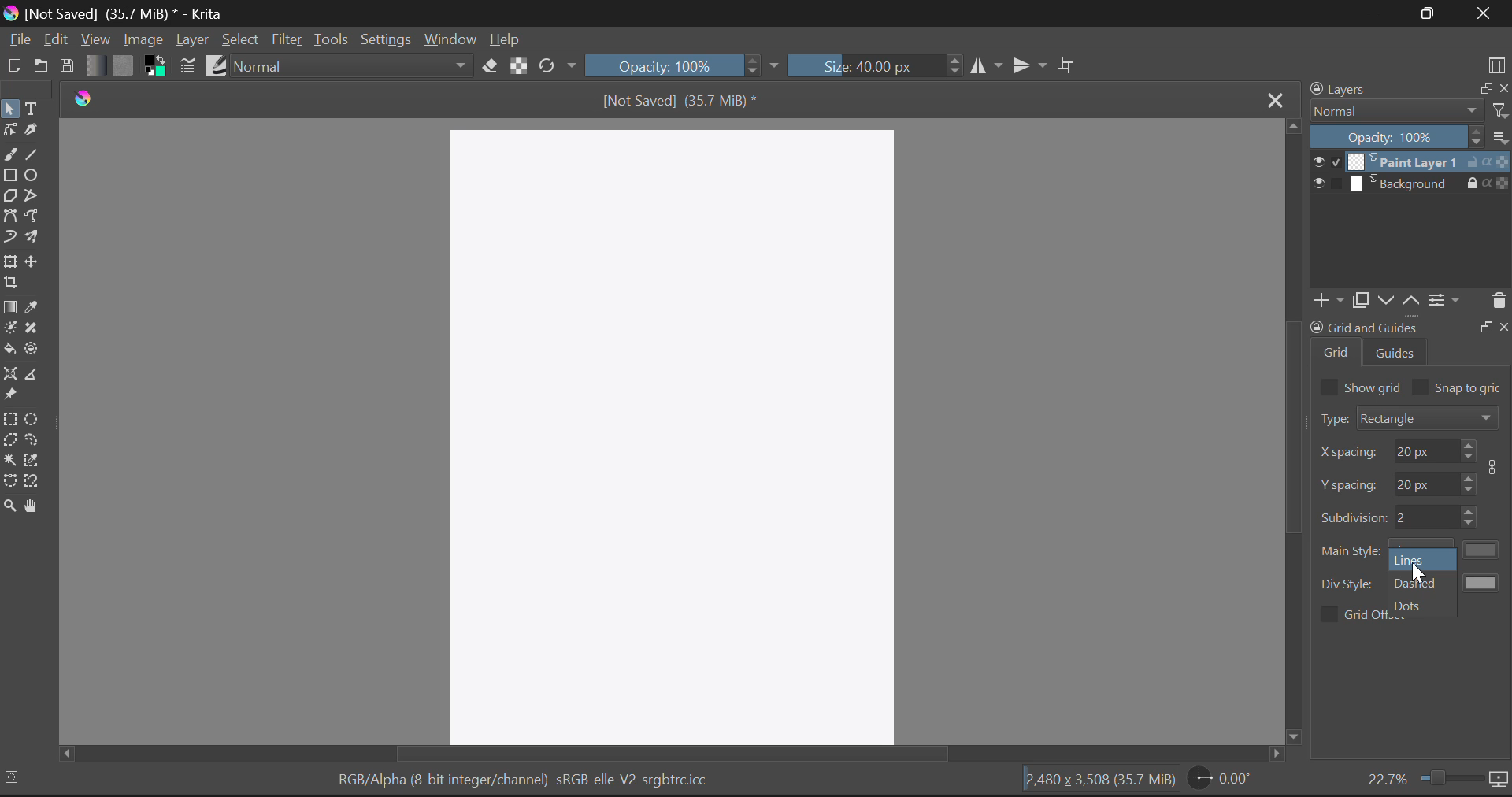 The width and height of the screenshot is (1512, 797). What do you see at coordinates (9, 506) in the screenshot?
I see `Zoom` at bounding box center [9, 506].